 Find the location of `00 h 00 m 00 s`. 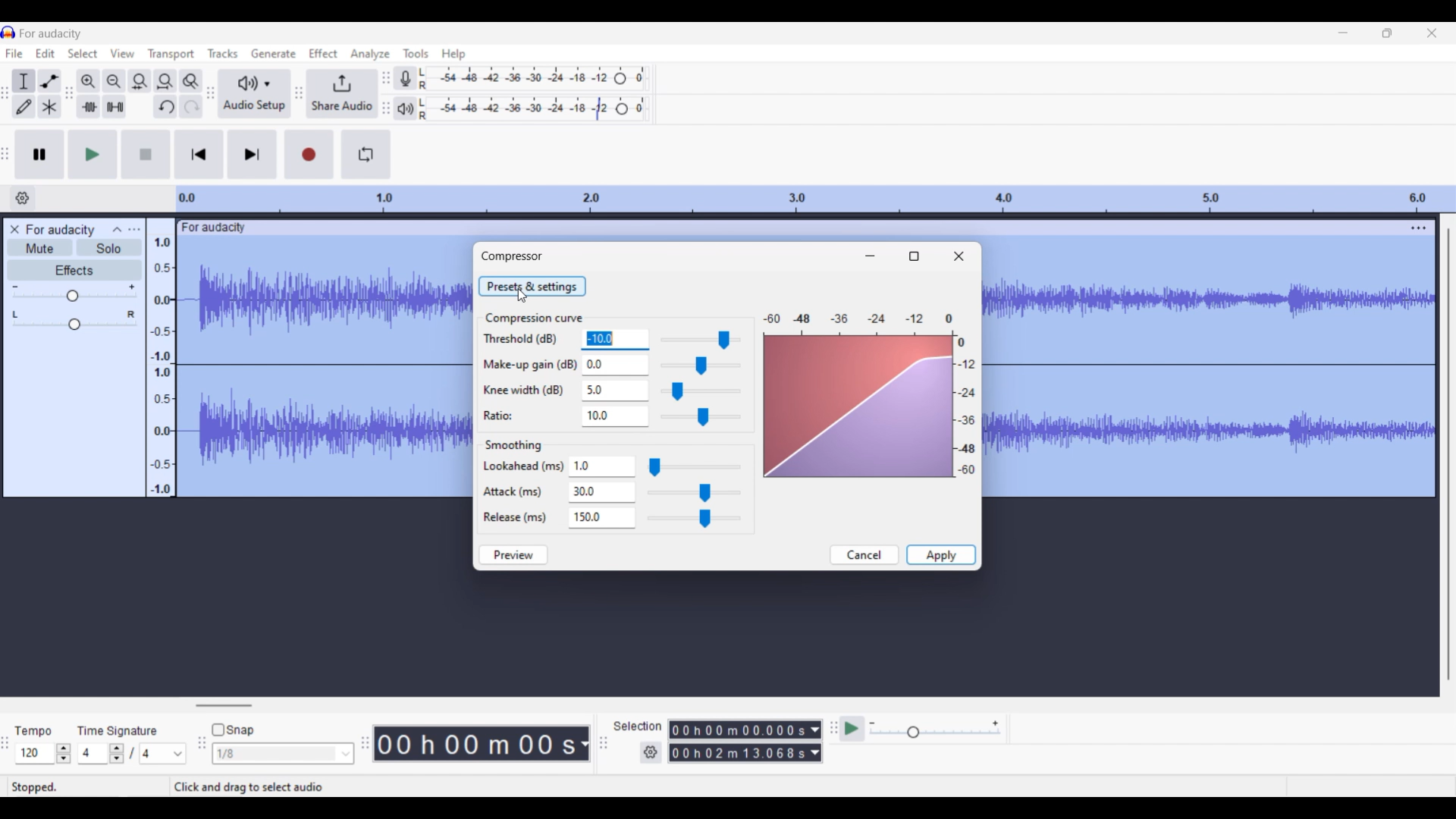

00 h 00 m 00 s is located at coordinates (475, 743).